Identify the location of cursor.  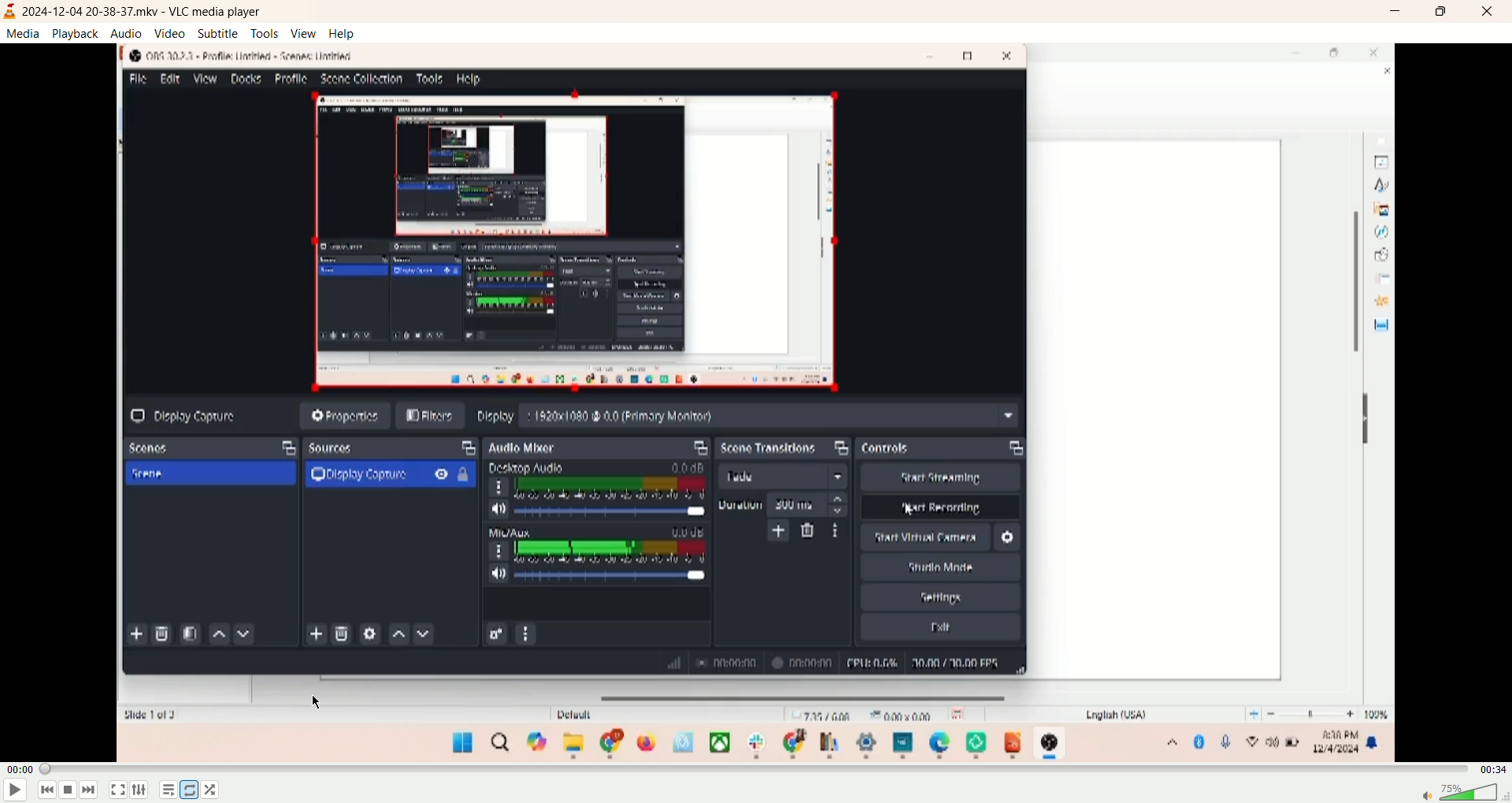
(317, 703).